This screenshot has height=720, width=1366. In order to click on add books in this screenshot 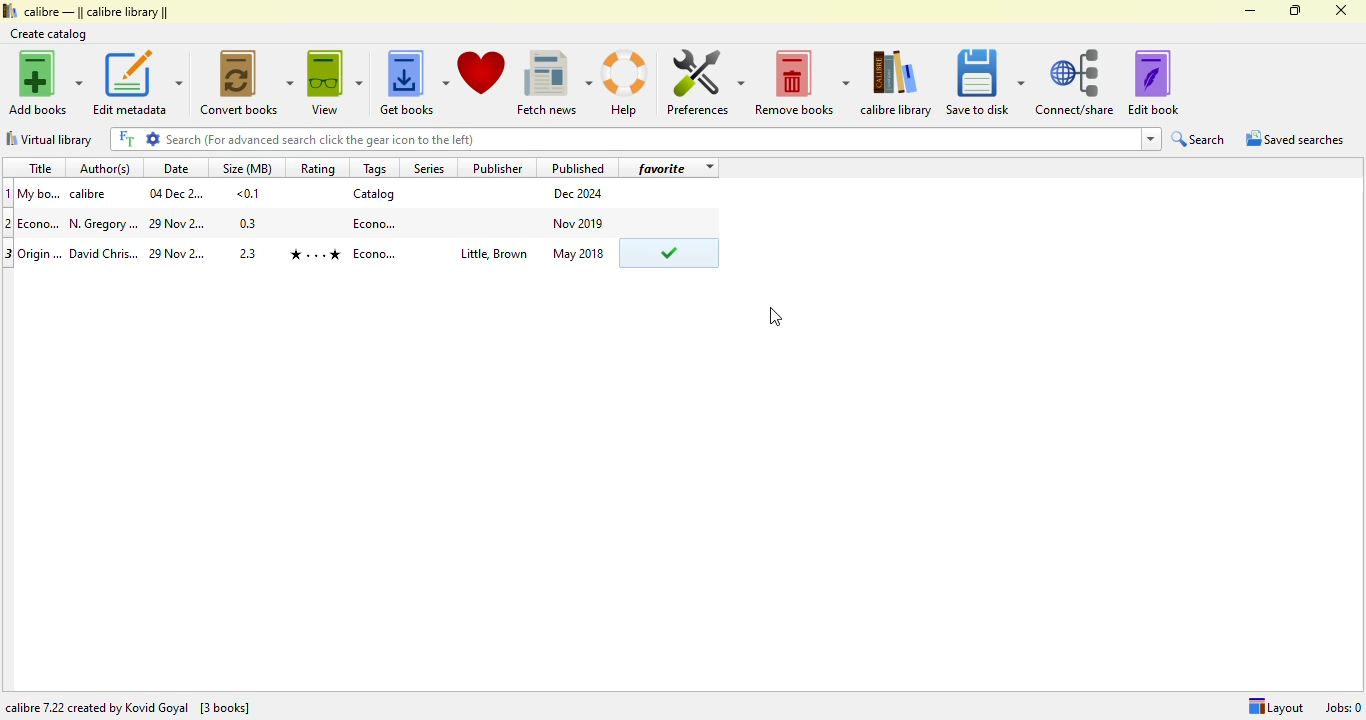, I will do `click(46, 82)`.